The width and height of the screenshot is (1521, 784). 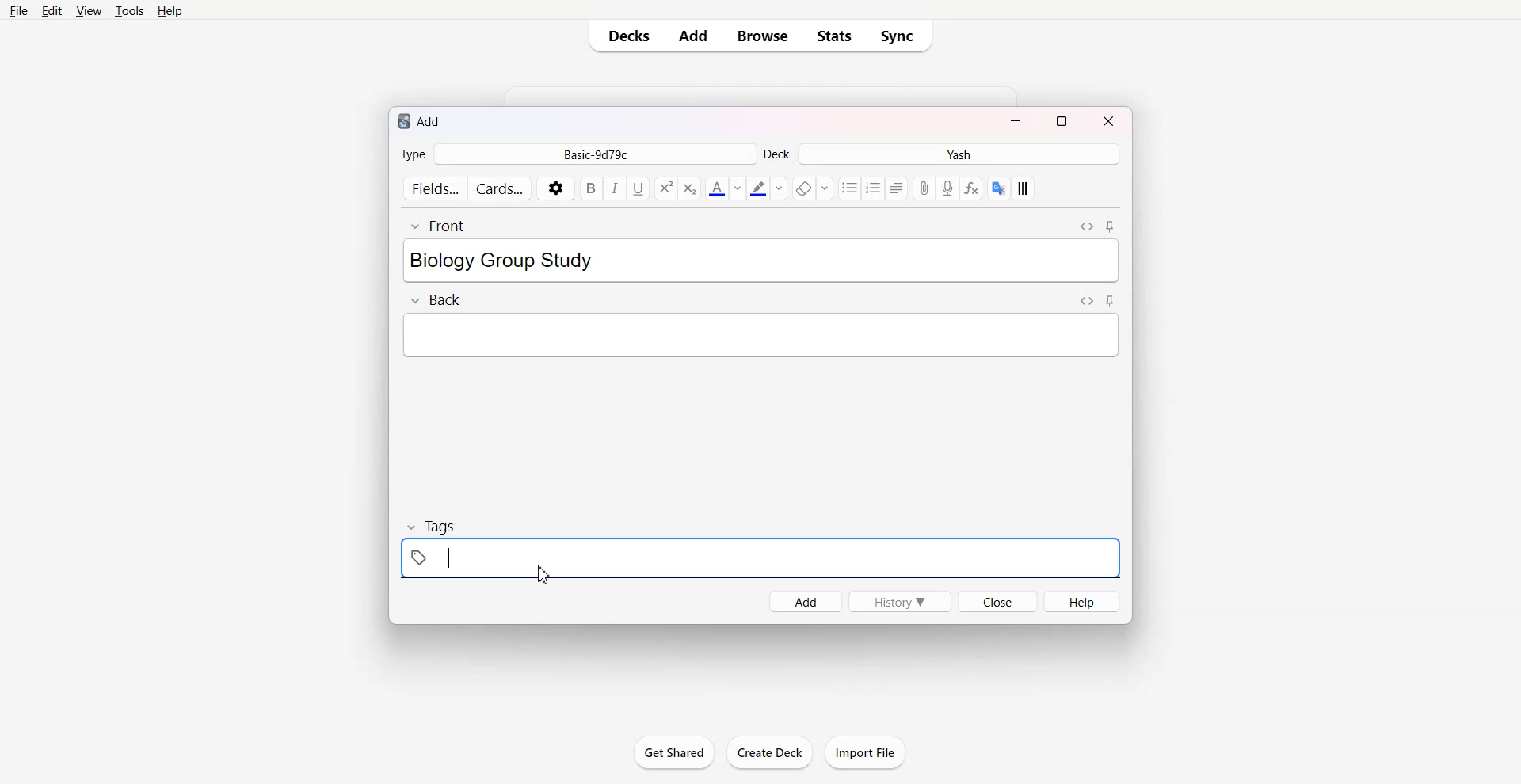 What do you see at coordinates (173, 12) in the screenshot?
I see `Help` at bounding box center [173, 12].